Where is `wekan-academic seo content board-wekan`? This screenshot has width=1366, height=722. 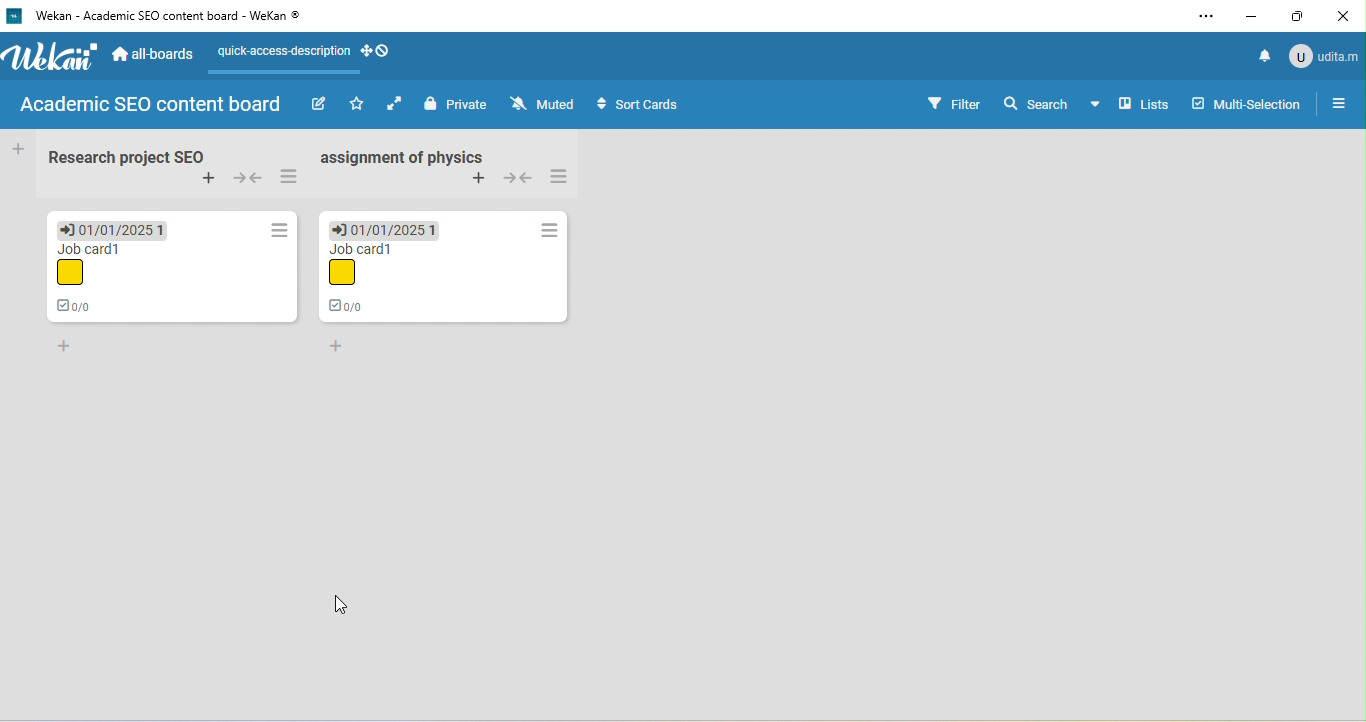 wekan-academic seo content board-wekan is located at coordinates (178, 16).